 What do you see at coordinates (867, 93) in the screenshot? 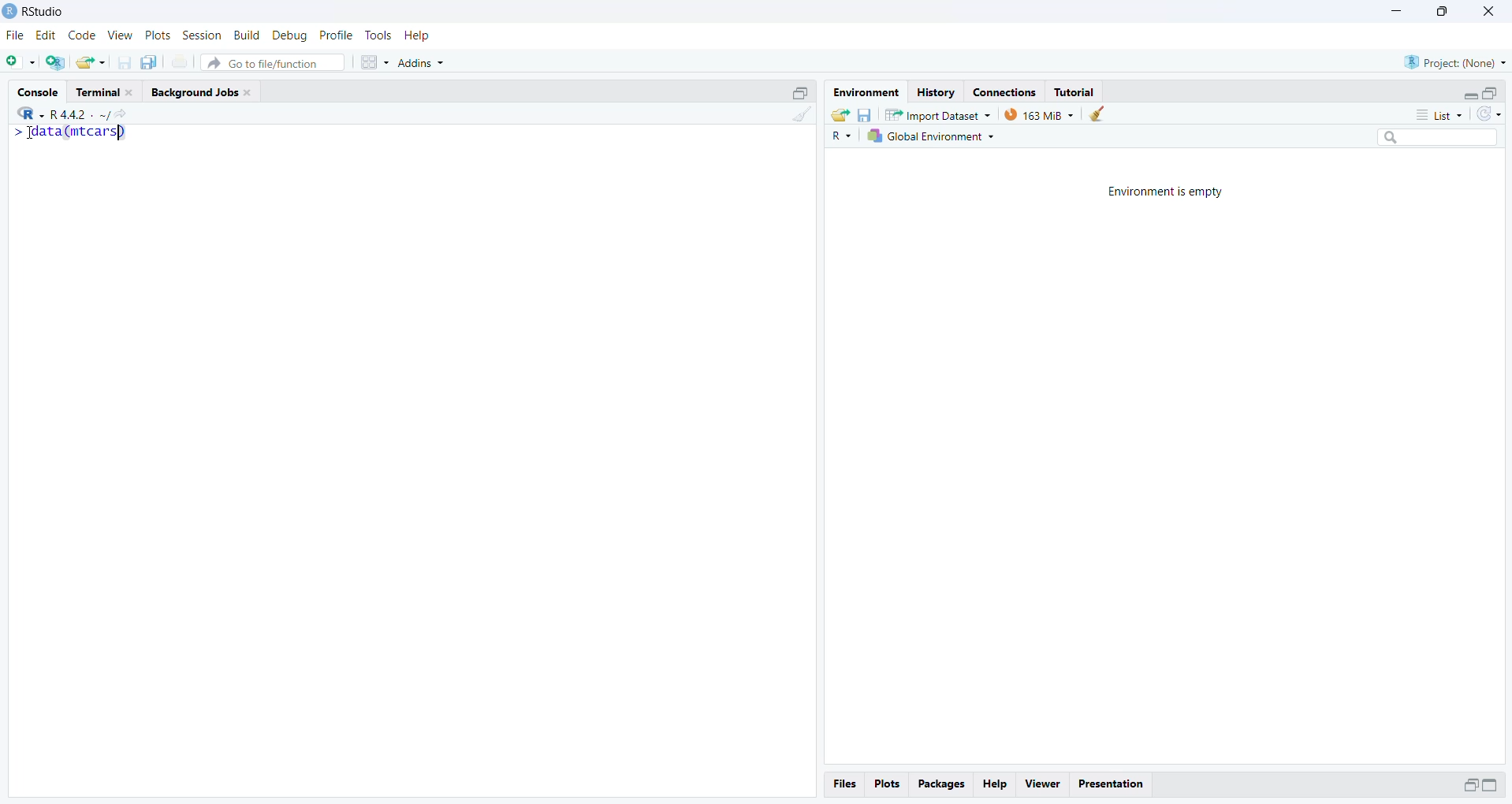
I see `Environment` at bounding box center [867, 93].